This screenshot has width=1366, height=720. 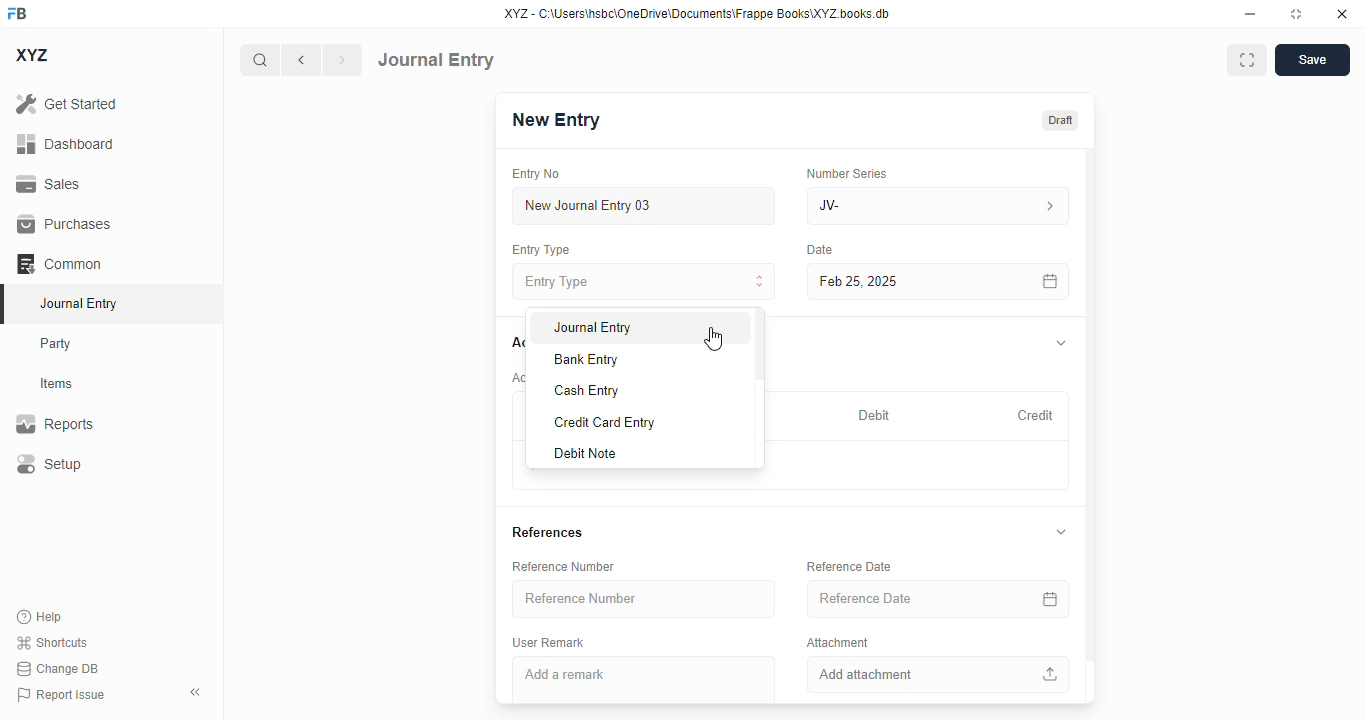 What do you see at coordinates (1062, 343) in the screenshot?
I see `toggle expand/collapse` at bounding box center [1062, 343].